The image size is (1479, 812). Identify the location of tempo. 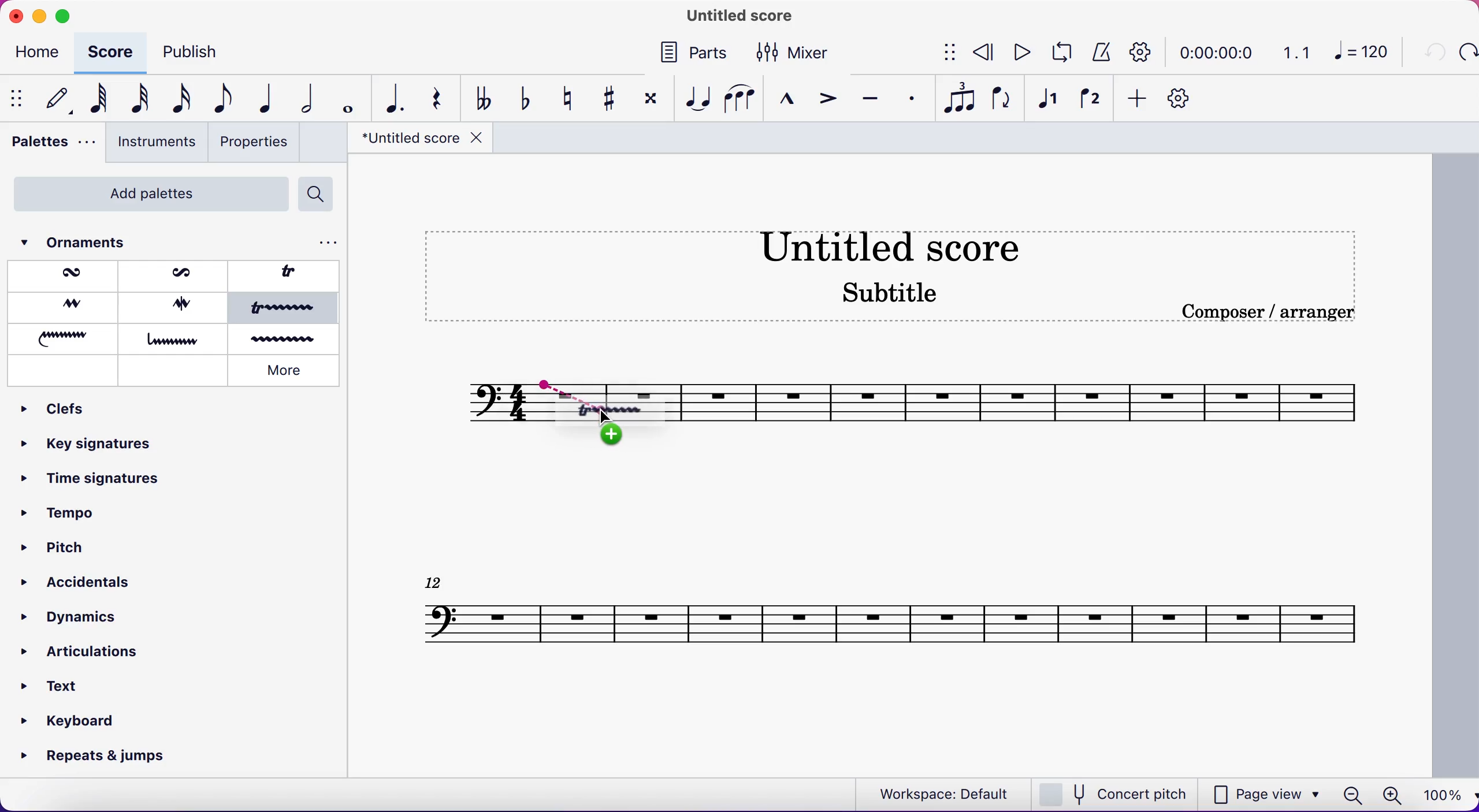
(68, 517).